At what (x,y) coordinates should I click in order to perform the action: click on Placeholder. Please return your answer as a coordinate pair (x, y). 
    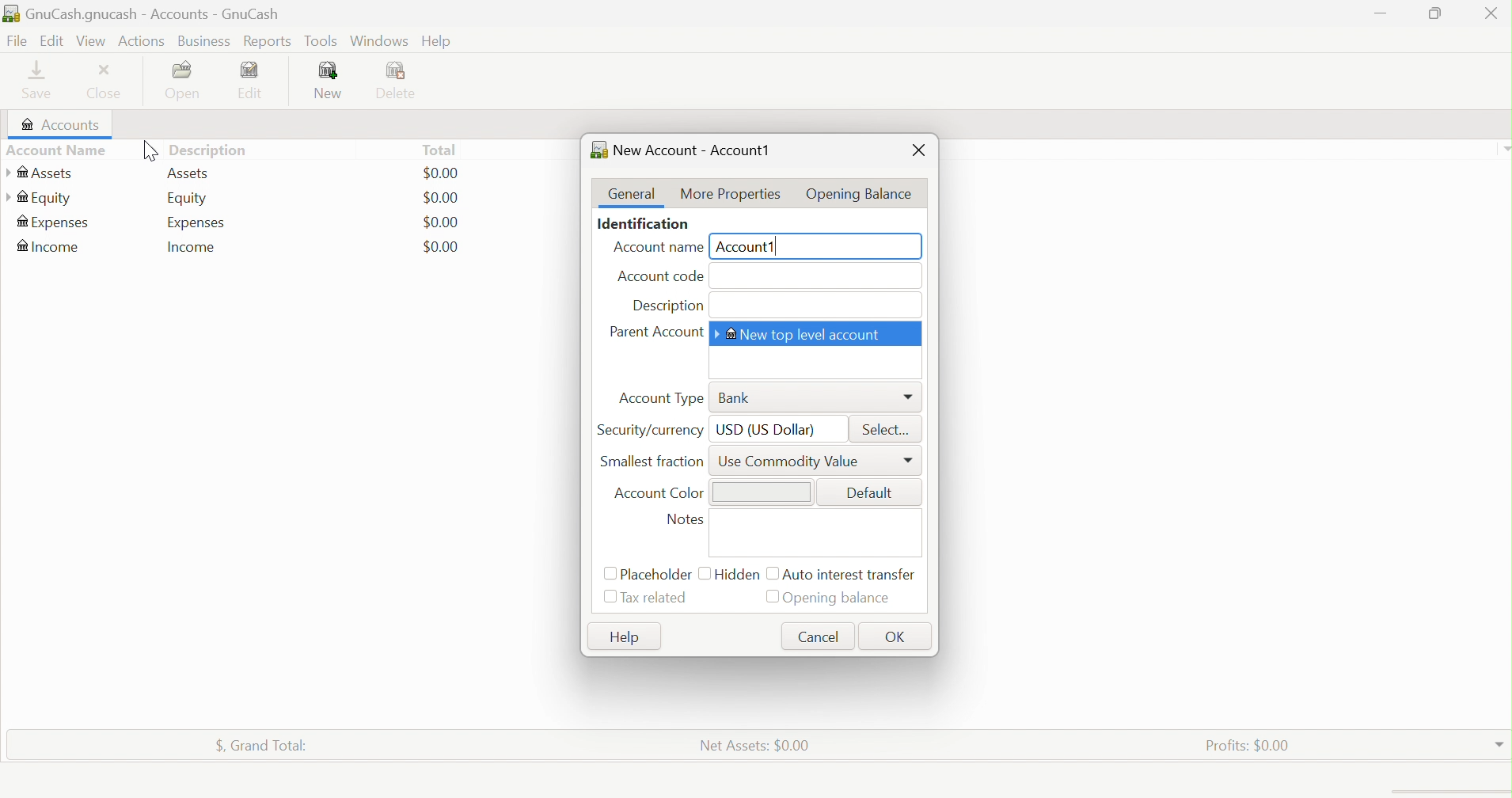
    Looking at the image, I should click on (657, 575).